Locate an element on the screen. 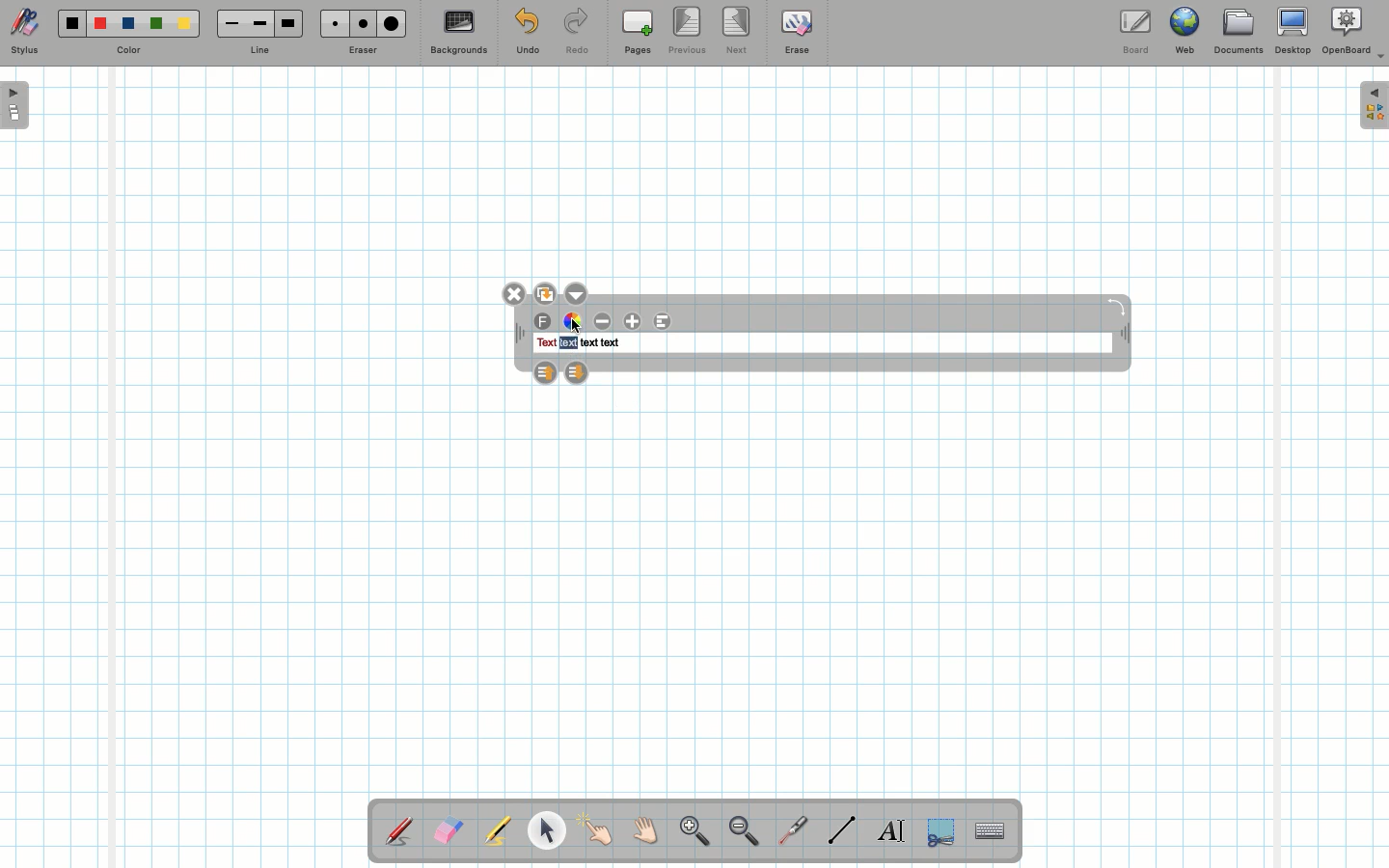 This screenshot has width=1389, height=868. Line is located at coordinates (842, 829).